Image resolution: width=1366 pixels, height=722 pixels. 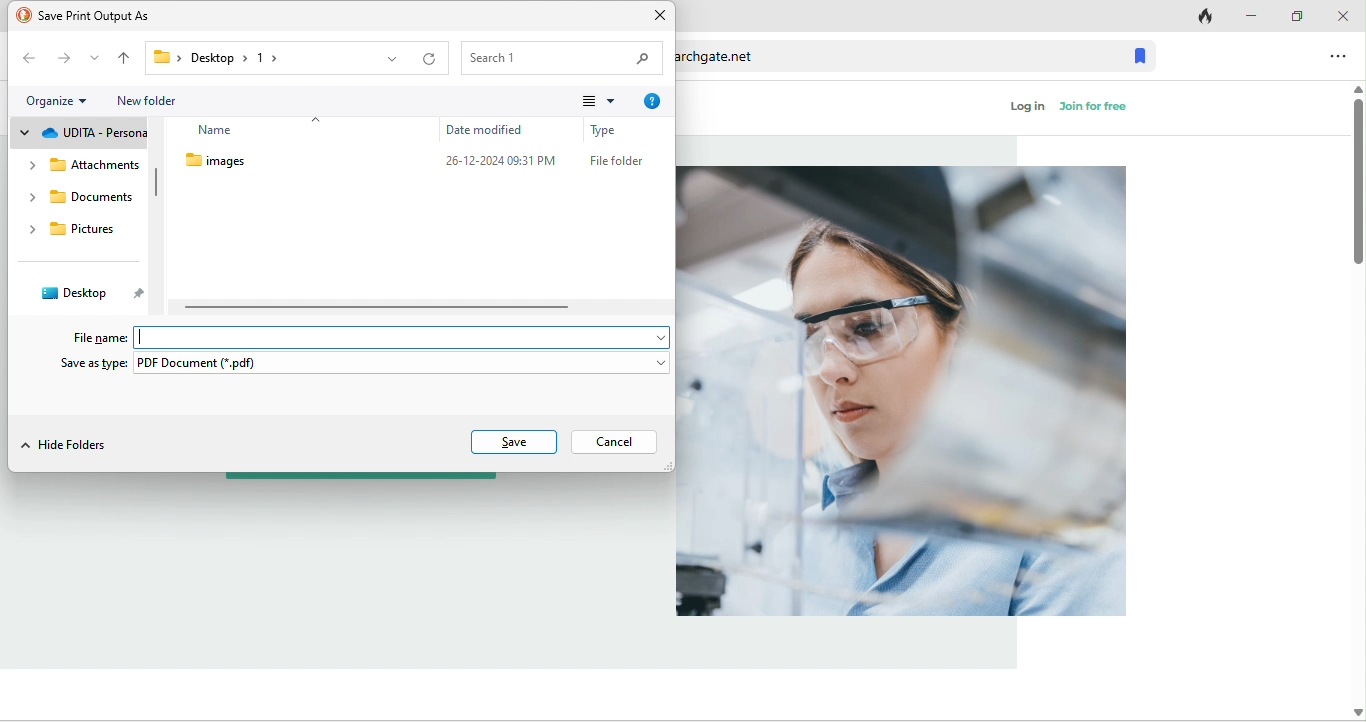 I want to click on File folder, so click(x=617, y=160).